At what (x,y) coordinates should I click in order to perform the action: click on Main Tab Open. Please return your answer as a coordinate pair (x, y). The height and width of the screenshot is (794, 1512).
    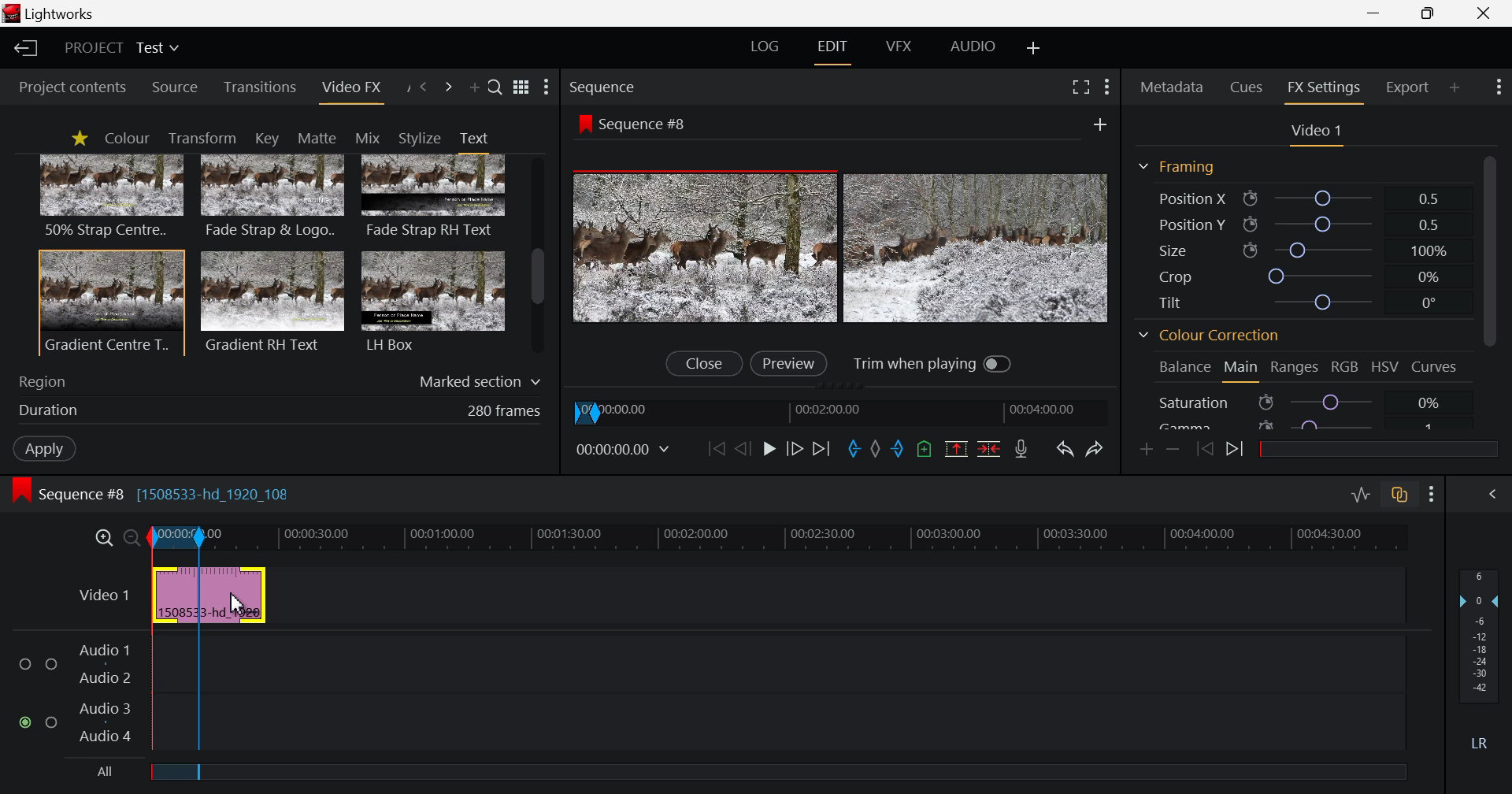
    Looking at the image, I should click on (1242, 369).